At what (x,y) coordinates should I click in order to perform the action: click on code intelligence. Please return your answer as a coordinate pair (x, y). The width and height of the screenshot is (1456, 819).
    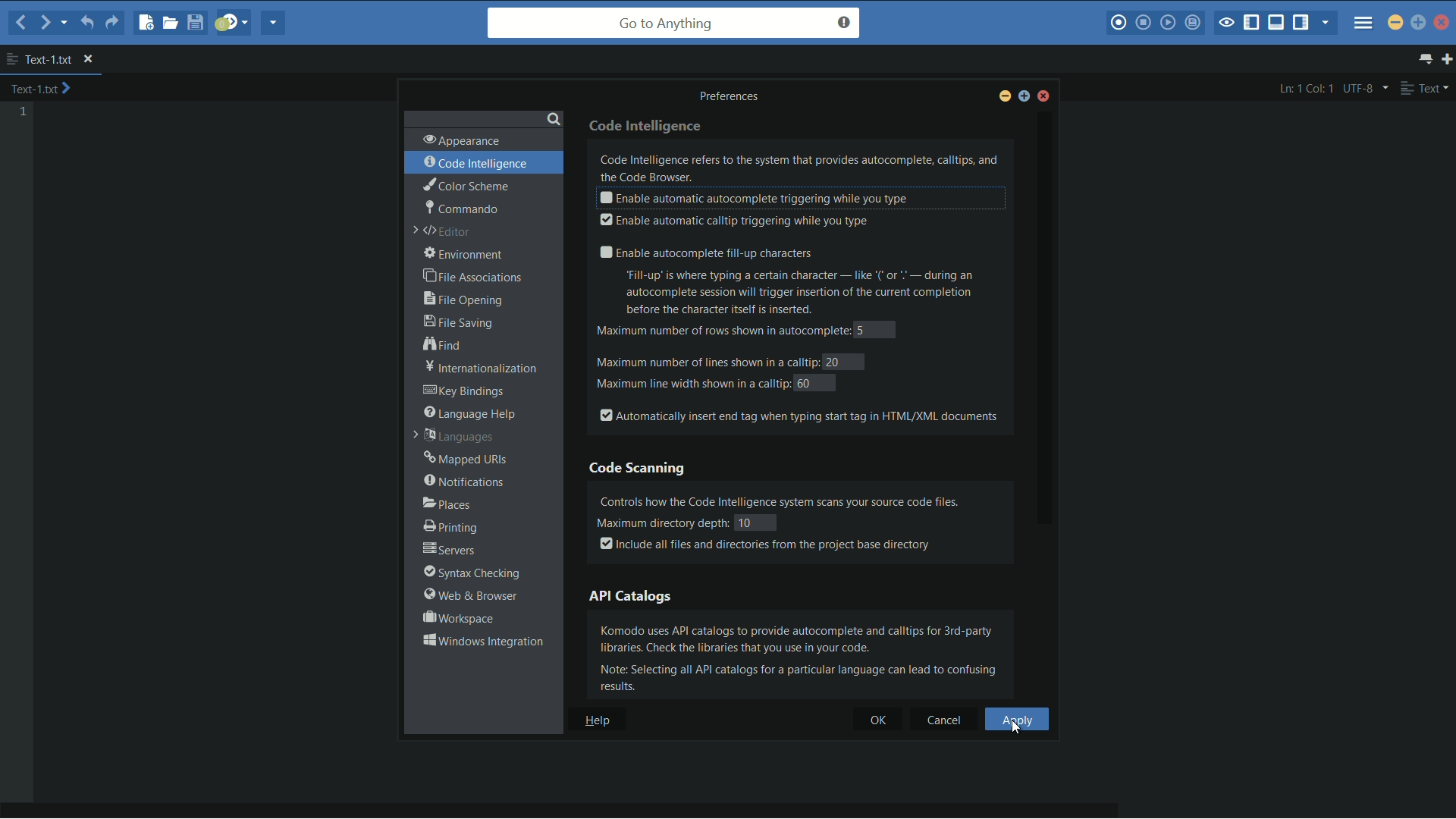
    Looking at the image, I should click on (648, 124).